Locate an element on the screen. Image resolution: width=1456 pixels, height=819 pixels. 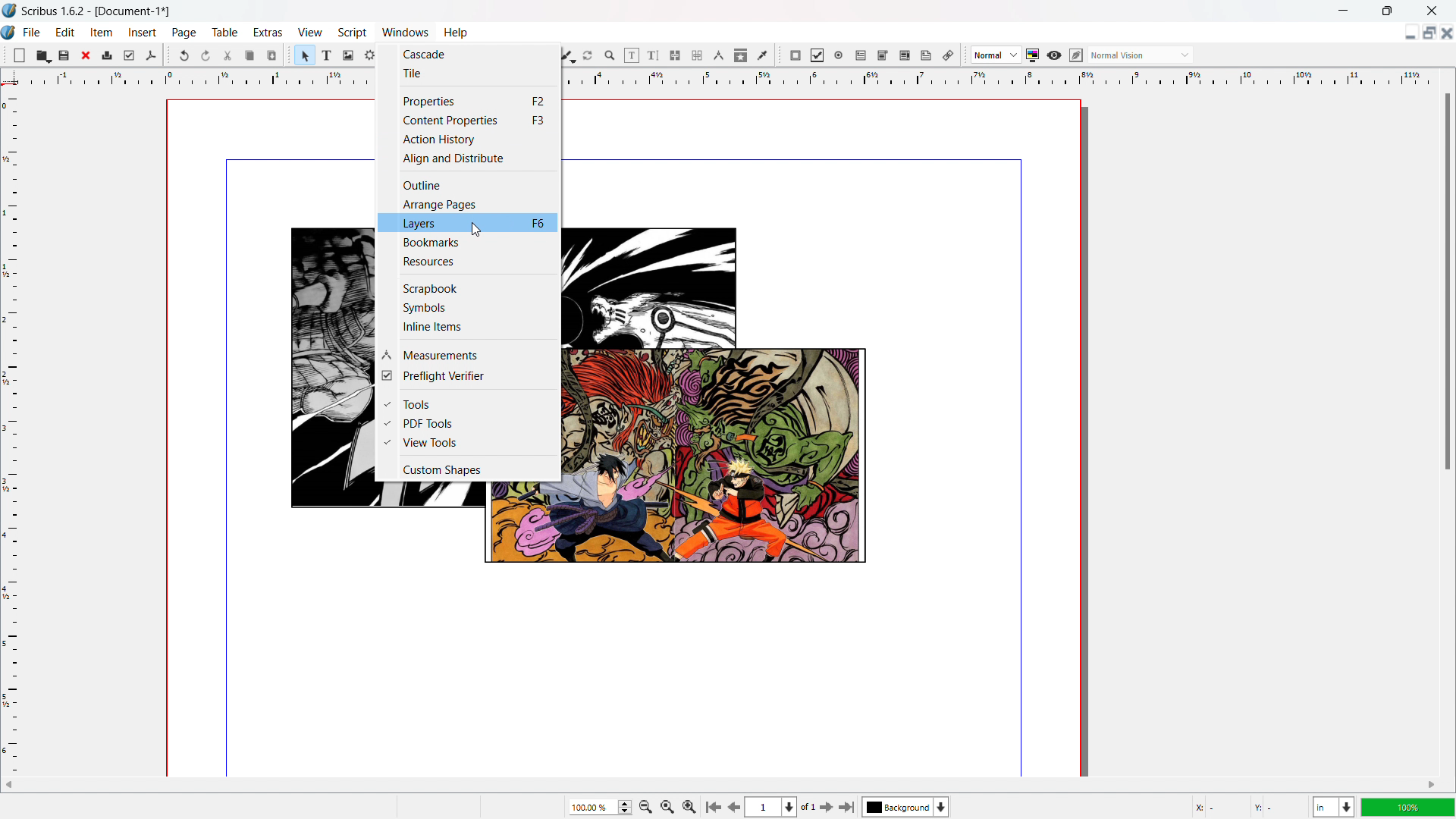
maximize document is located at coordinates (1427, 32).